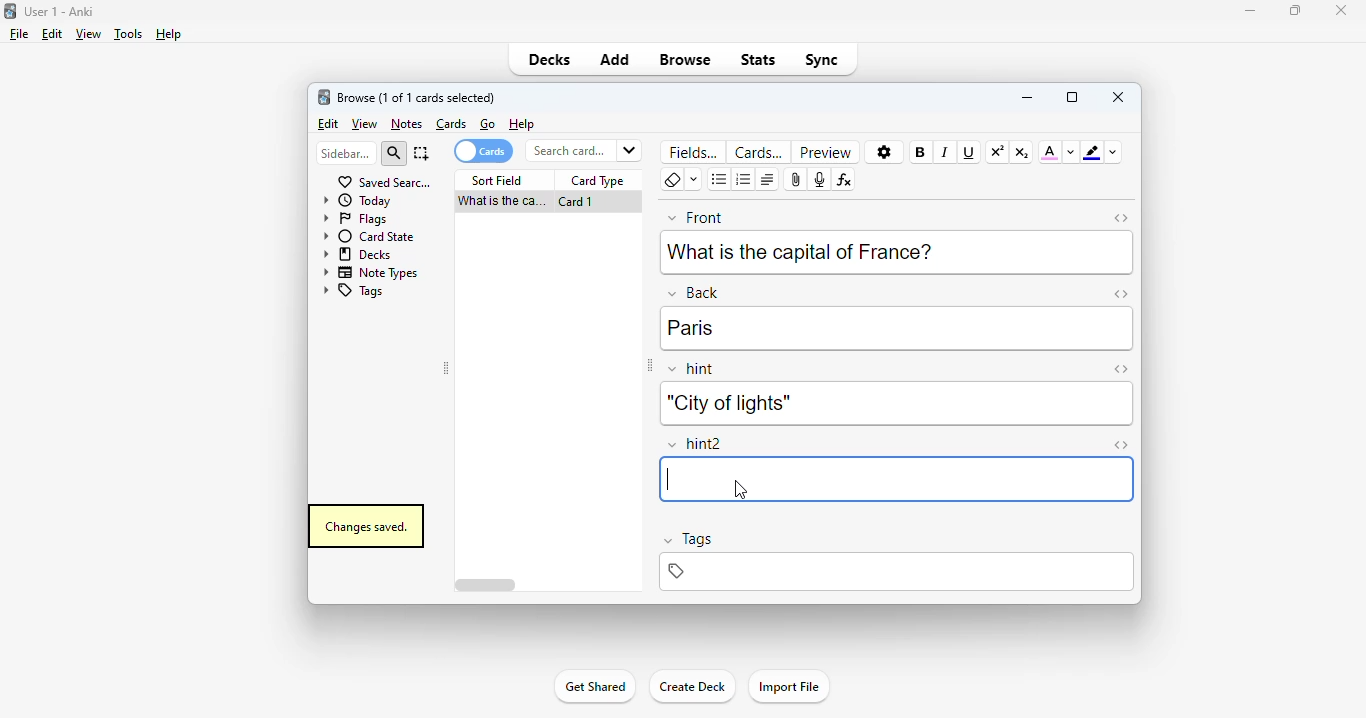 Image resolution: width=1366 pixels, height=718 pixels. I want to click on remove formatting, so click(672, 180).